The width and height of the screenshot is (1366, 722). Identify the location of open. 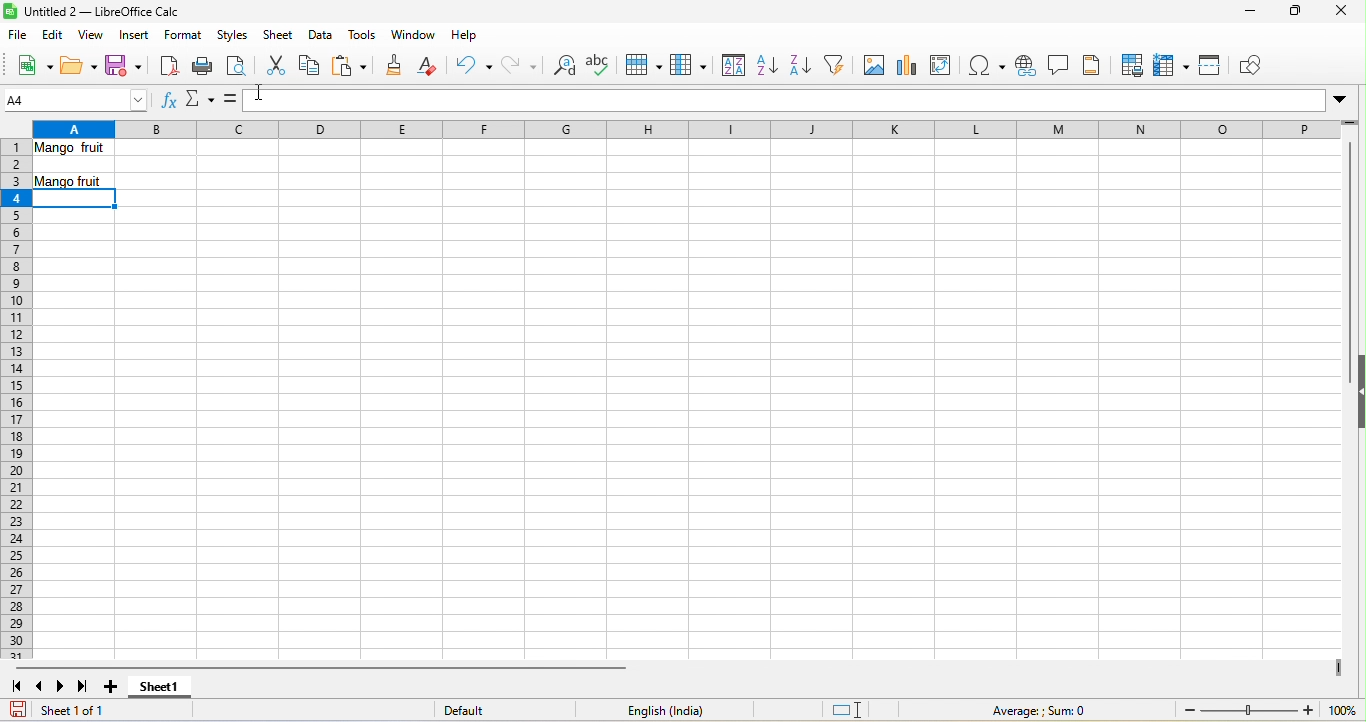
(77, 65).